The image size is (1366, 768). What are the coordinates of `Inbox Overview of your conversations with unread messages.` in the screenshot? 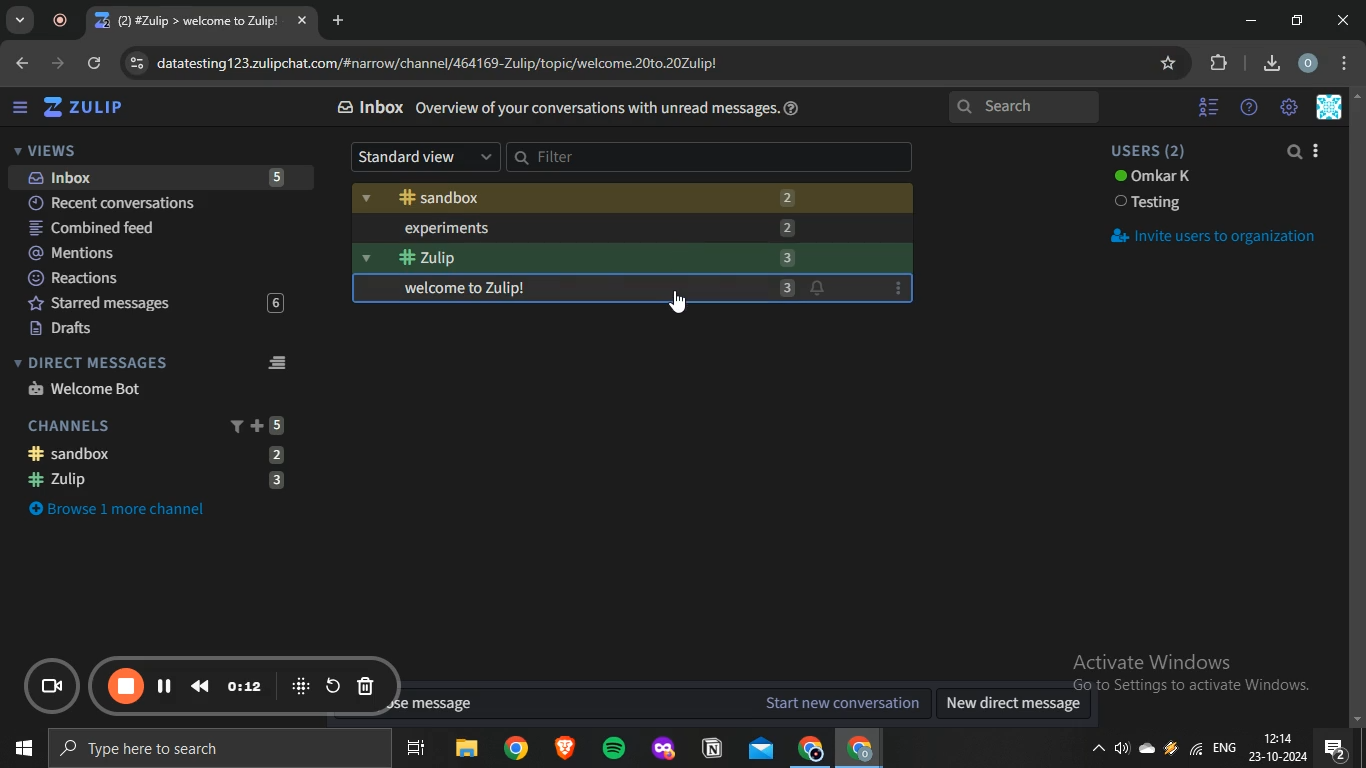 It's located at (559, 108).